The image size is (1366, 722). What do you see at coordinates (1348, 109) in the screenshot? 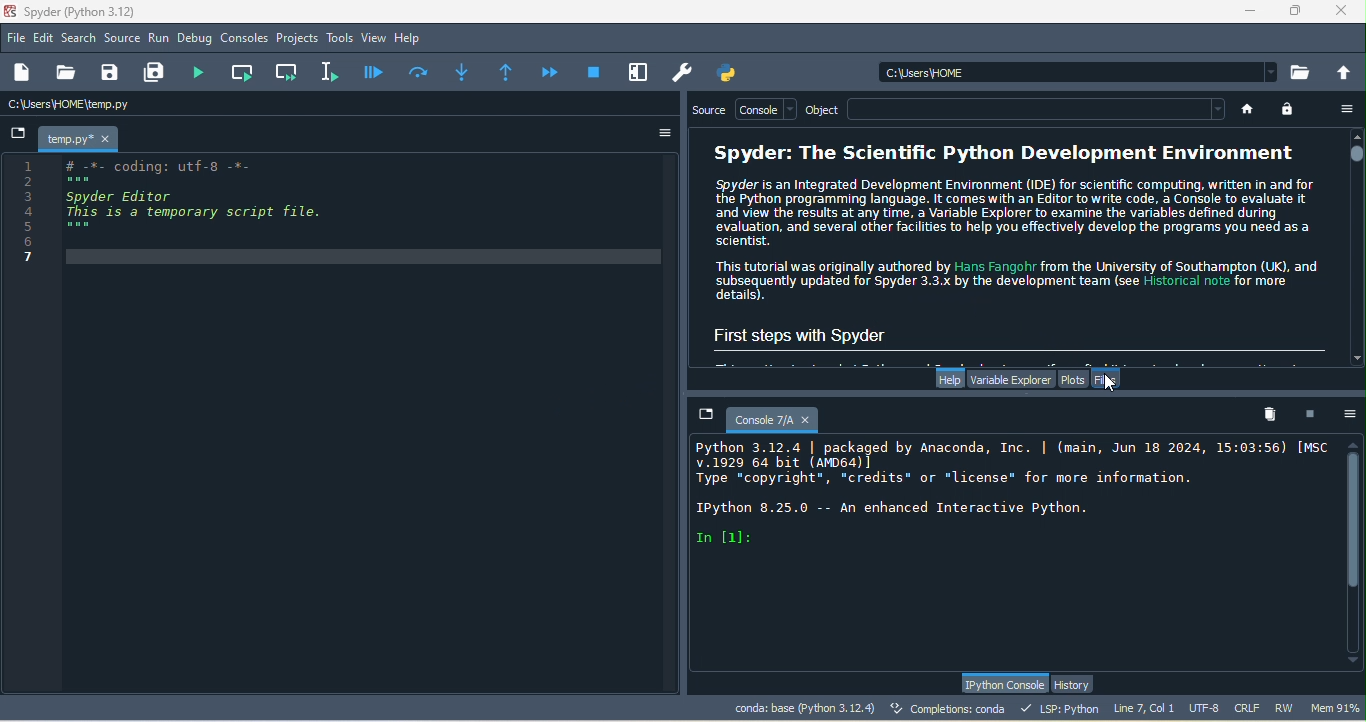
I see `options` at bounding box center [1348, 109].